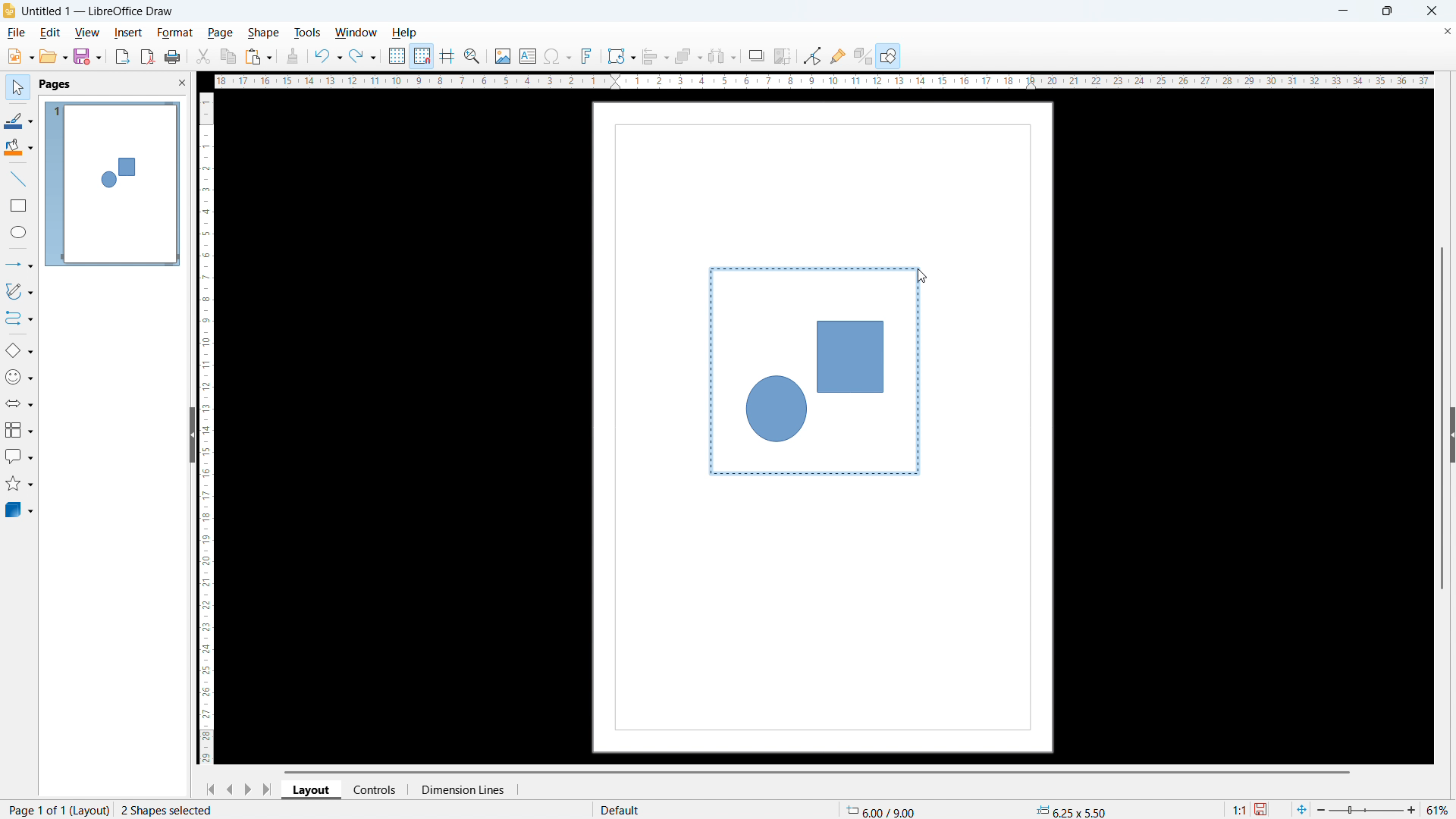  I want to click on object dimension, so click(1068, 809).